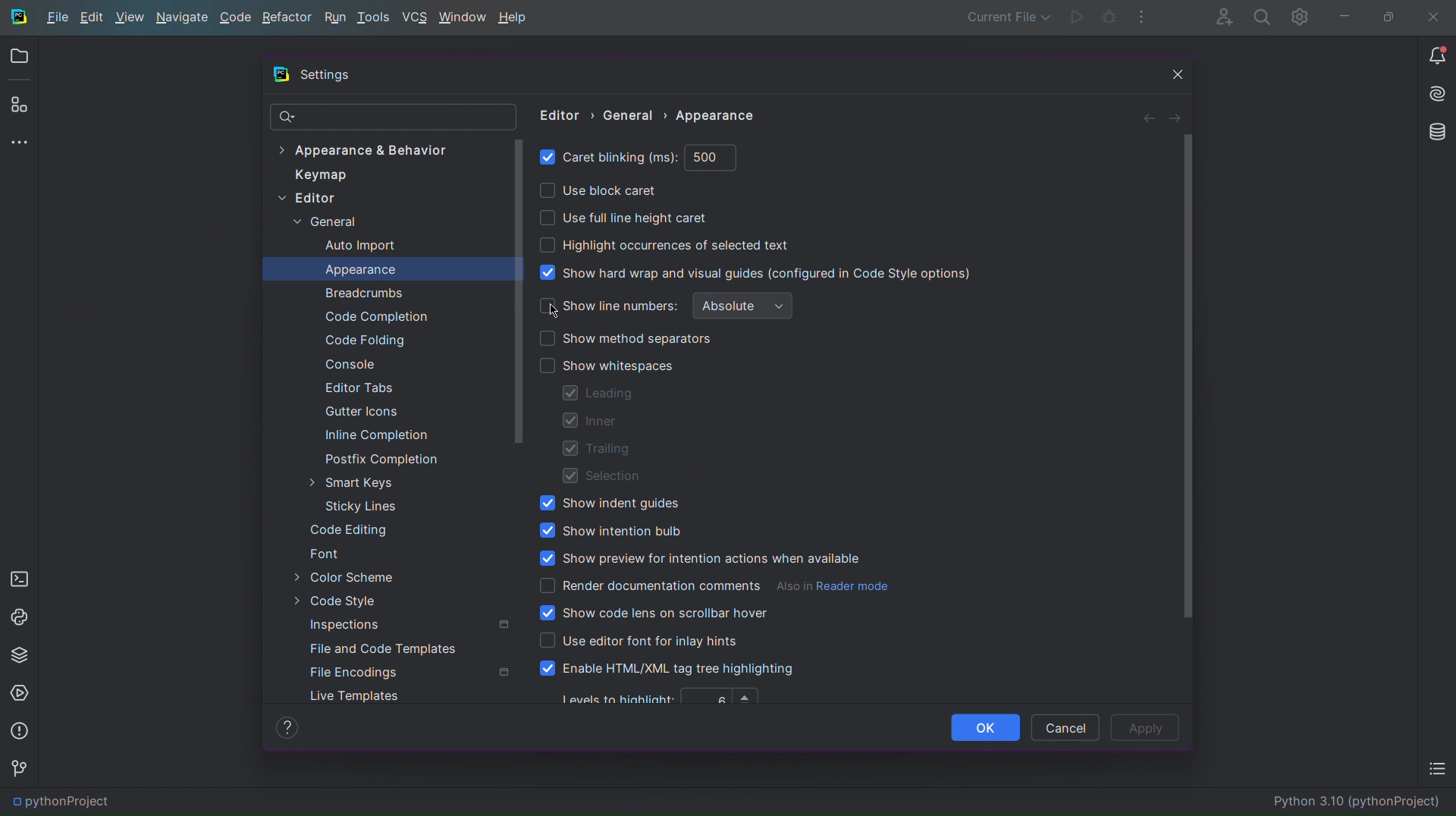  What do you see at coordinates (375, 17) in the screenshot?
I see `Tools` at bounding box center [375, 17].